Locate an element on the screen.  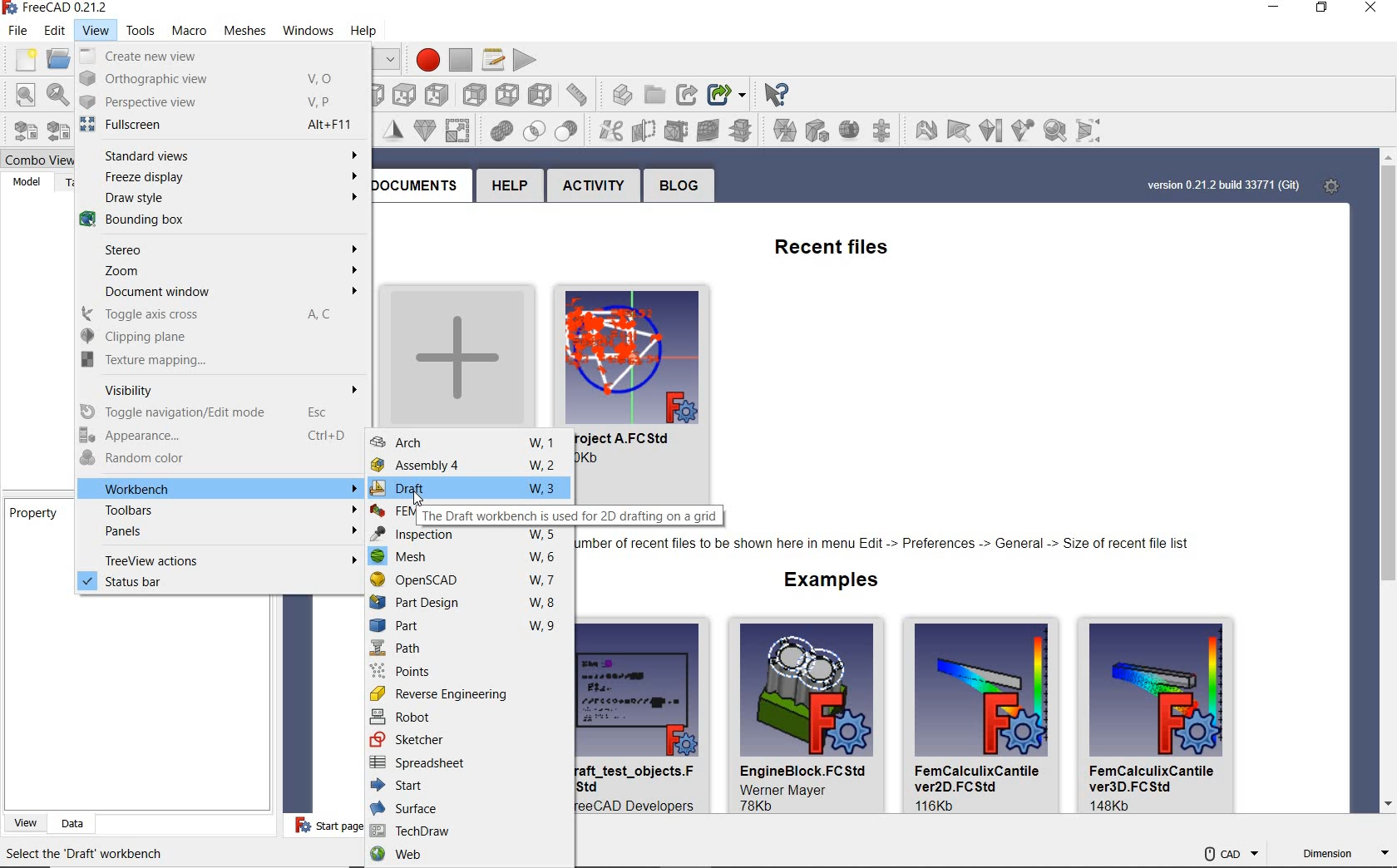
robot is located at coordinates (468, 716).